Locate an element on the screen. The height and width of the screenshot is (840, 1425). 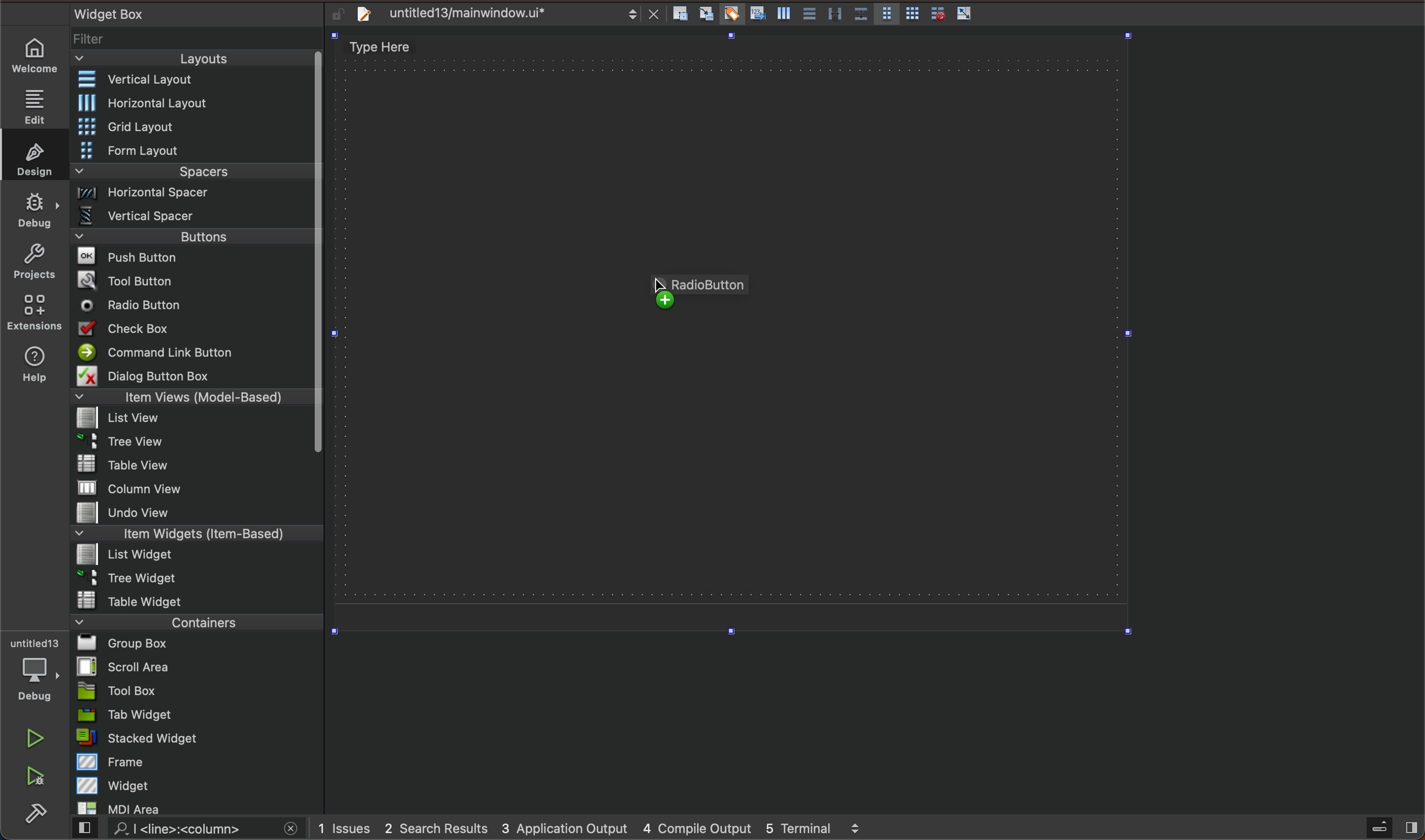
projects is located at coordinates (34, 264).